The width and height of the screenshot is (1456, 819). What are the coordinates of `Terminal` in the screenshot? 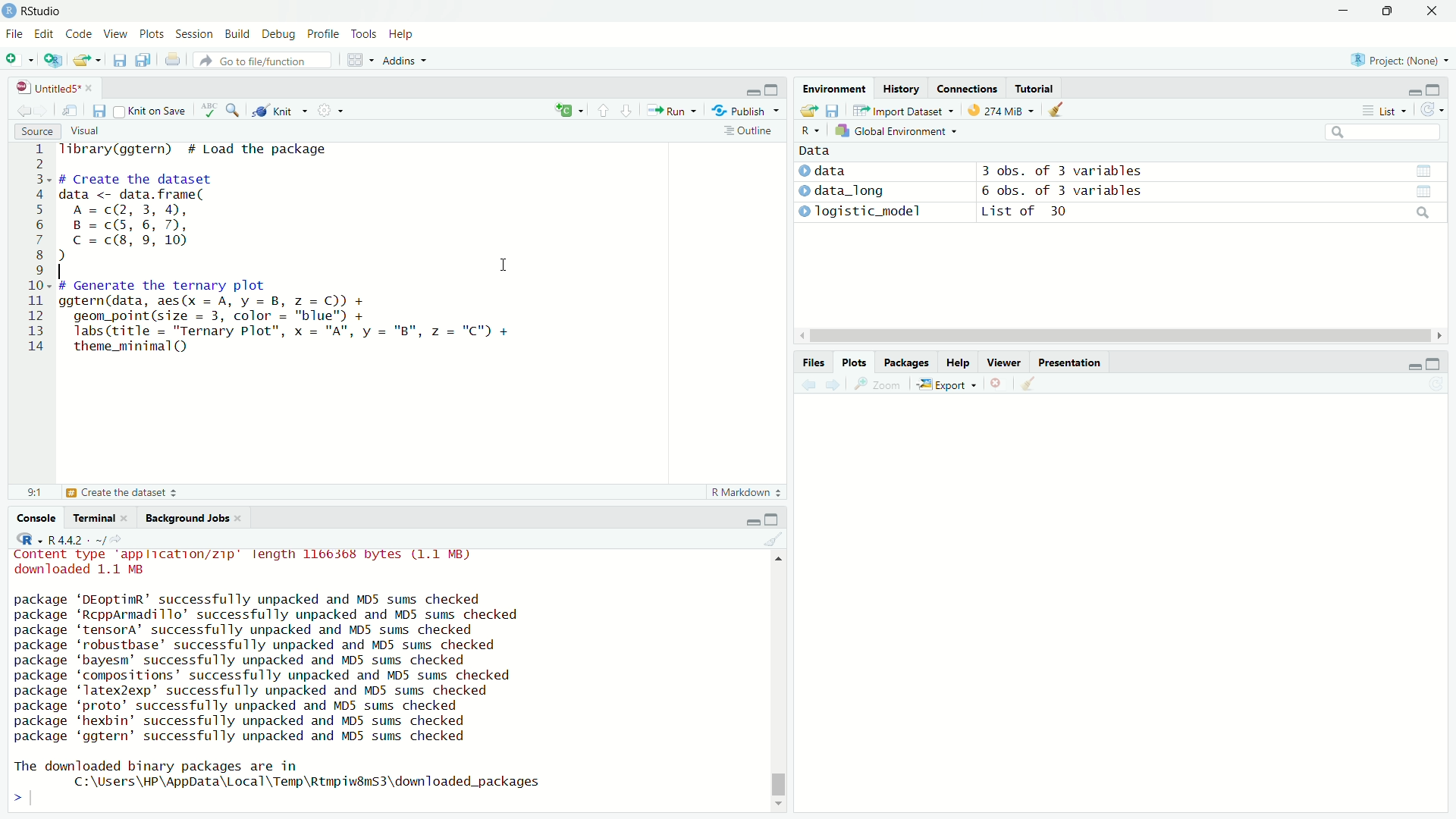 It's located at (95, 518).